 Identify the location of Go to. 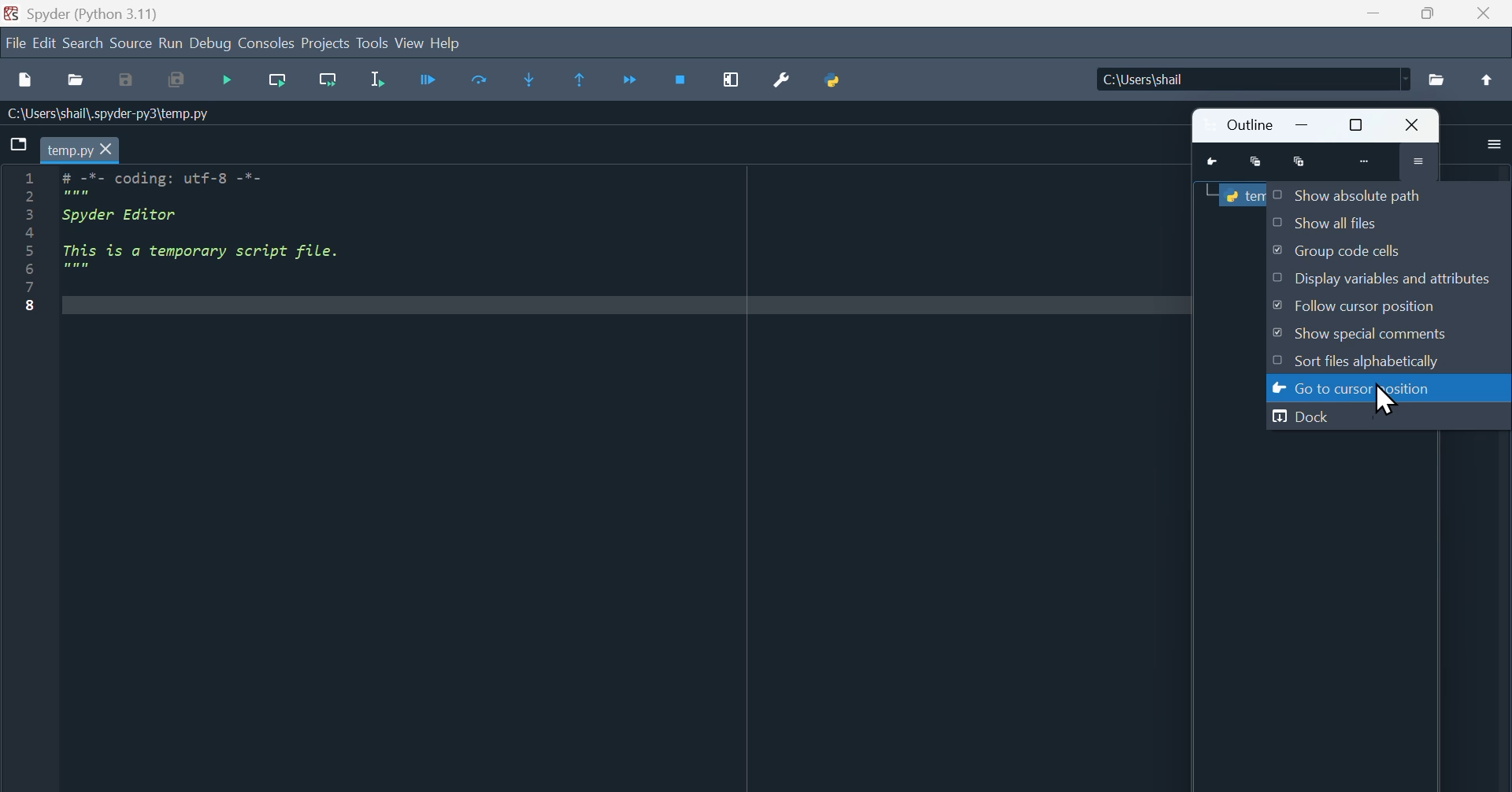
(1212, 162).